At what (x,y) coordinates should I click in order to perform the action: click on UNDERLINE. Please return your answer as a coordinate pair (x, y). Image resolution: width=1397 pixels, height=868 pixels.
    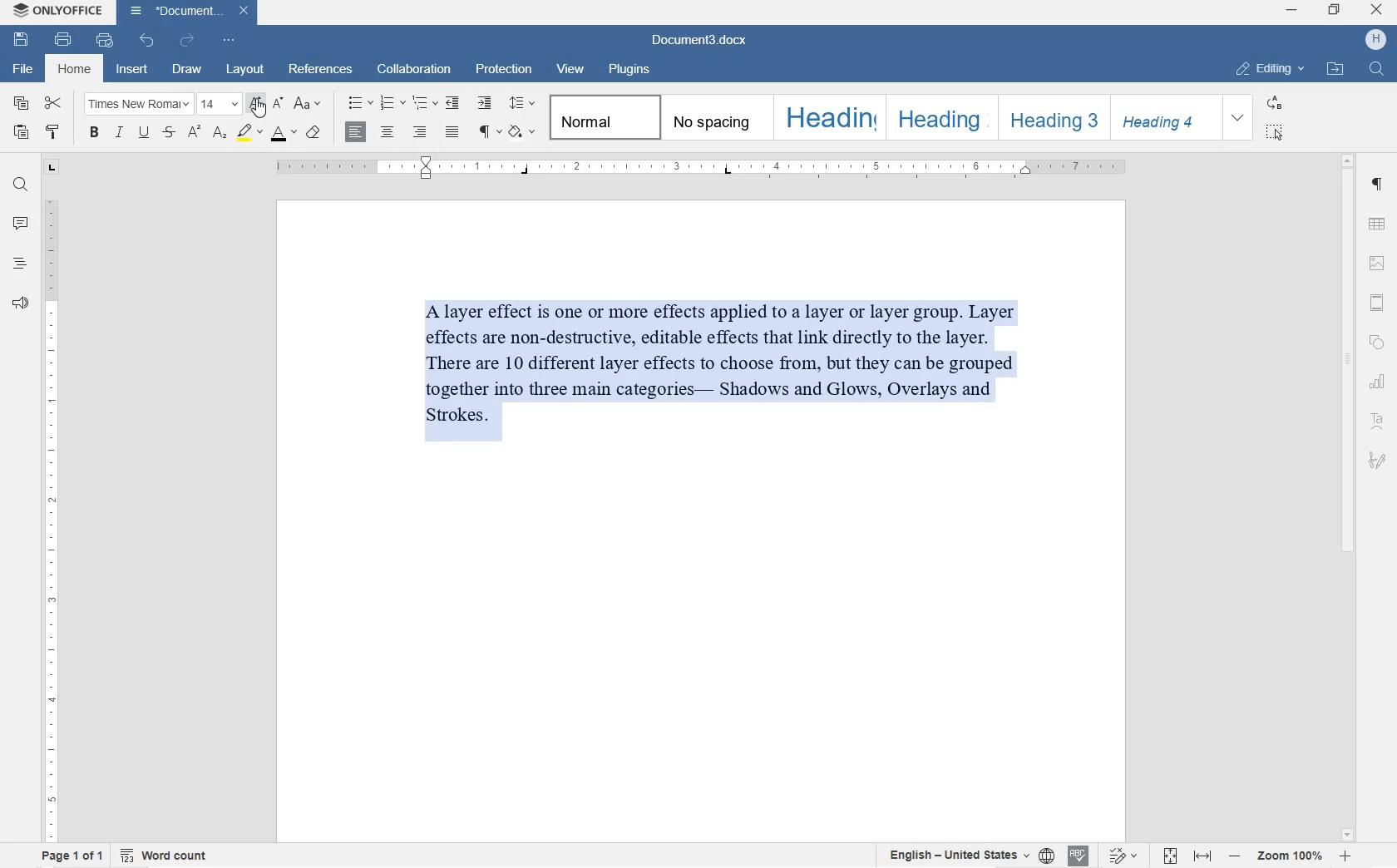
    Looking at the image, I should click on (143, 133).